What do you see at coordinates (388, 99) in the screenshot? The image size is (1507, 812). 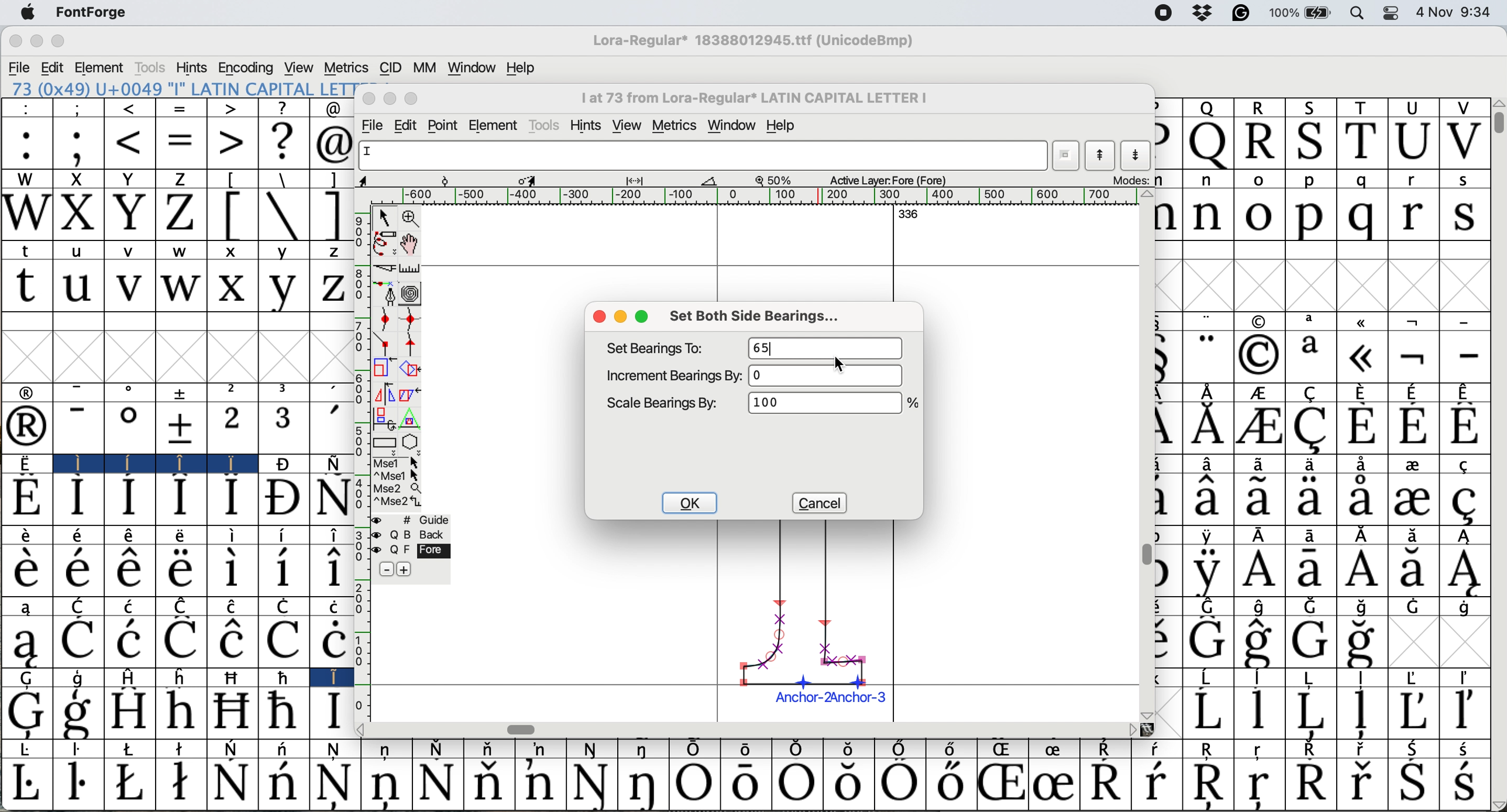 I see `minimise` at bounding box center [388, 99].